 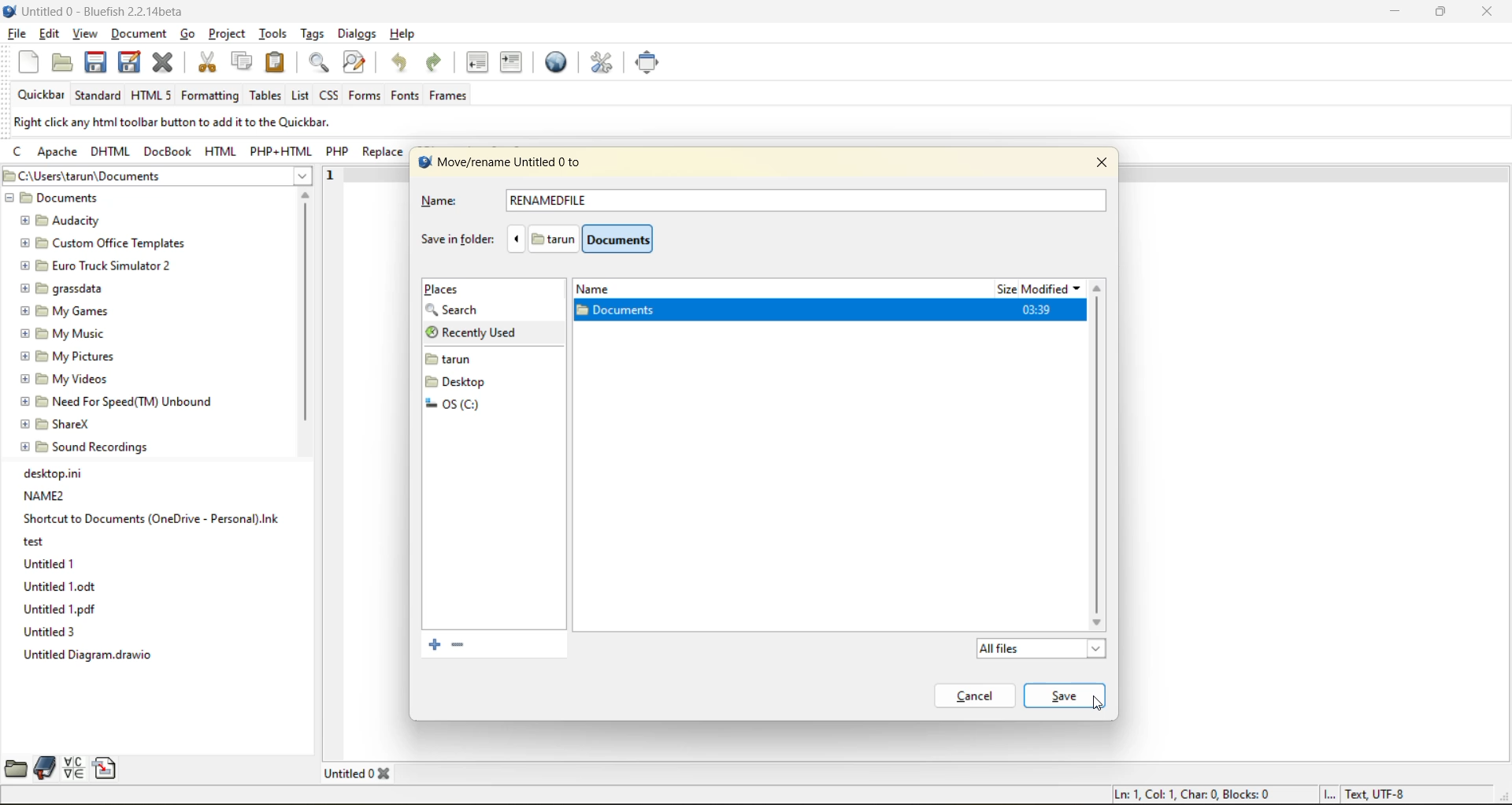 What do you see at coordinates (198, 123) in the screenshot?
I see `metadata` at bounding box center [198, 123].